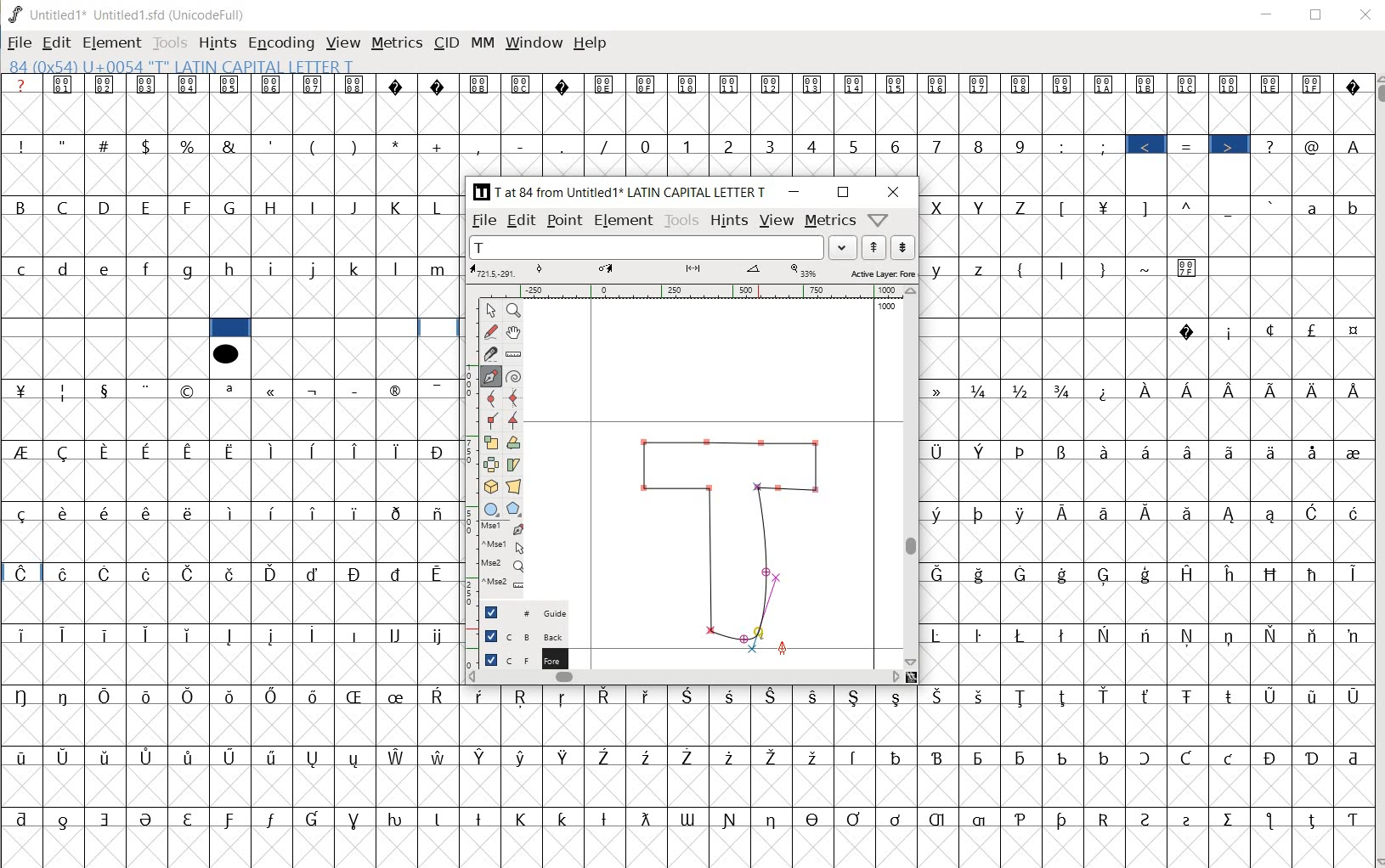 The width and height of the screenshot is (1385, 868). Describe the element at coordinates (1193, 573) in the screenshot. I see `Symbol` at that location.